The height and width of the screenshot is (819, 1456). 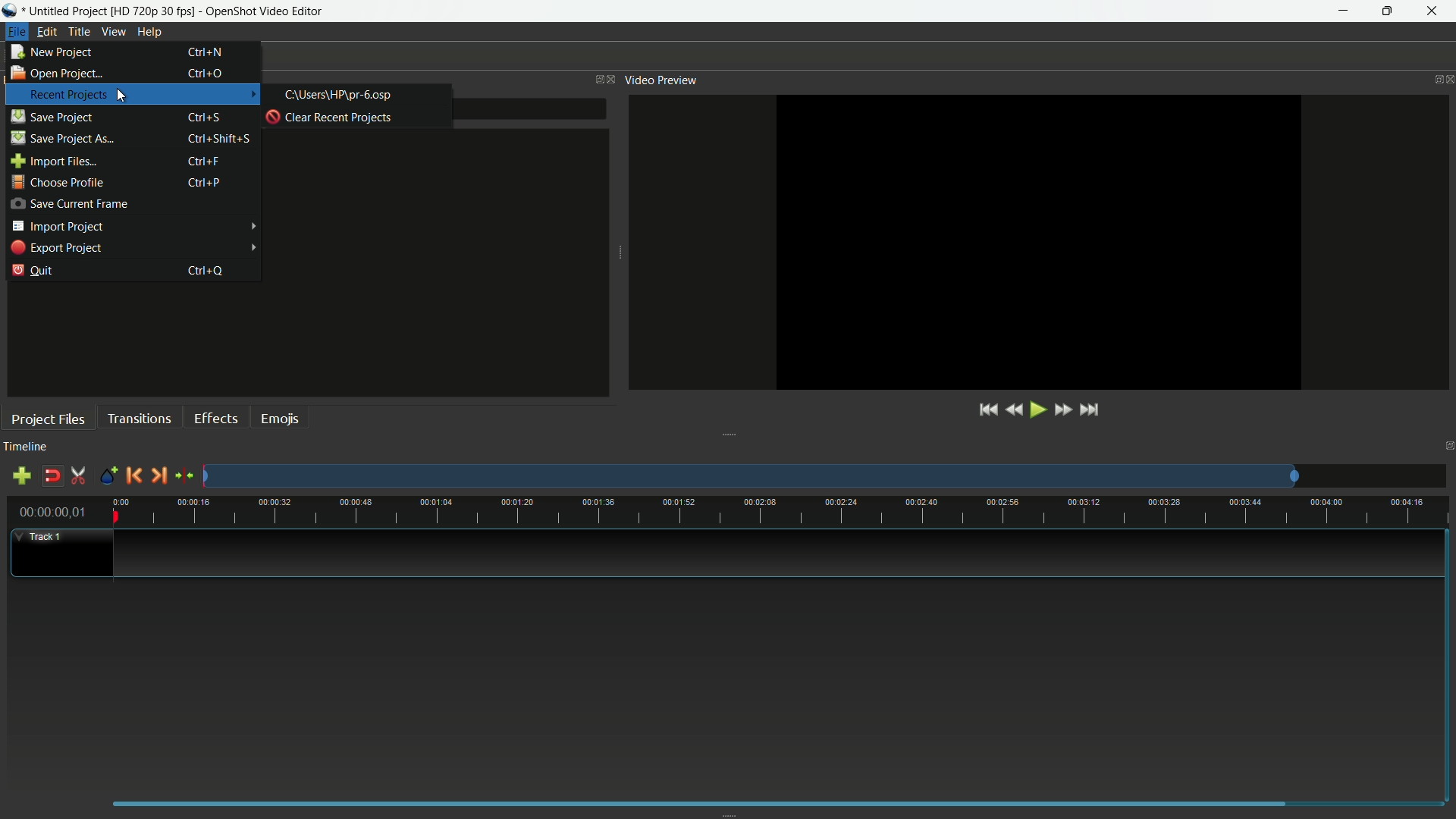 I want to click on disable snap, so click(x=53, y=476).